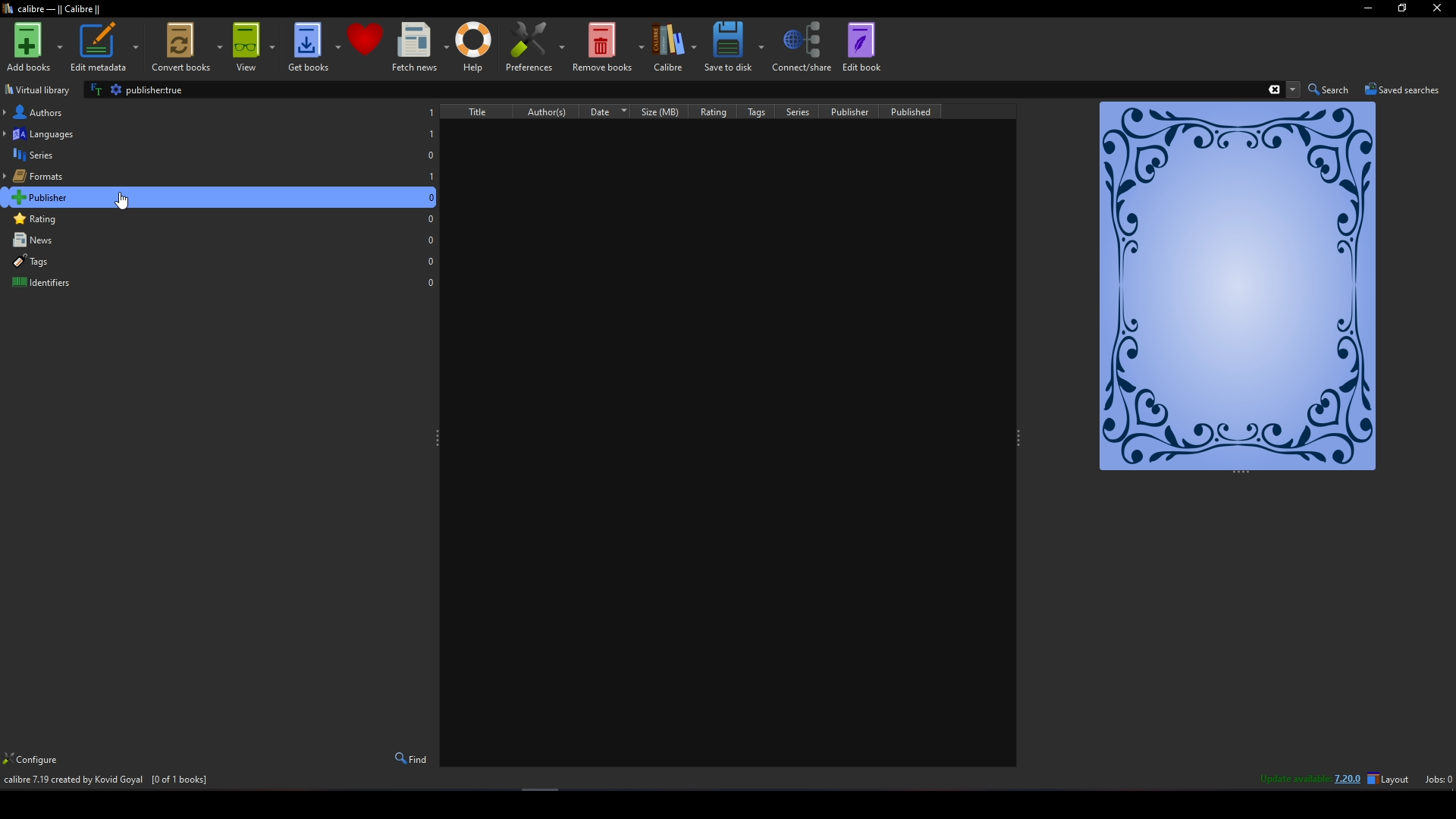  I want to click on calibre 7.19 created by Kovid Goyal [0 of 1 books], so click(105, 782).